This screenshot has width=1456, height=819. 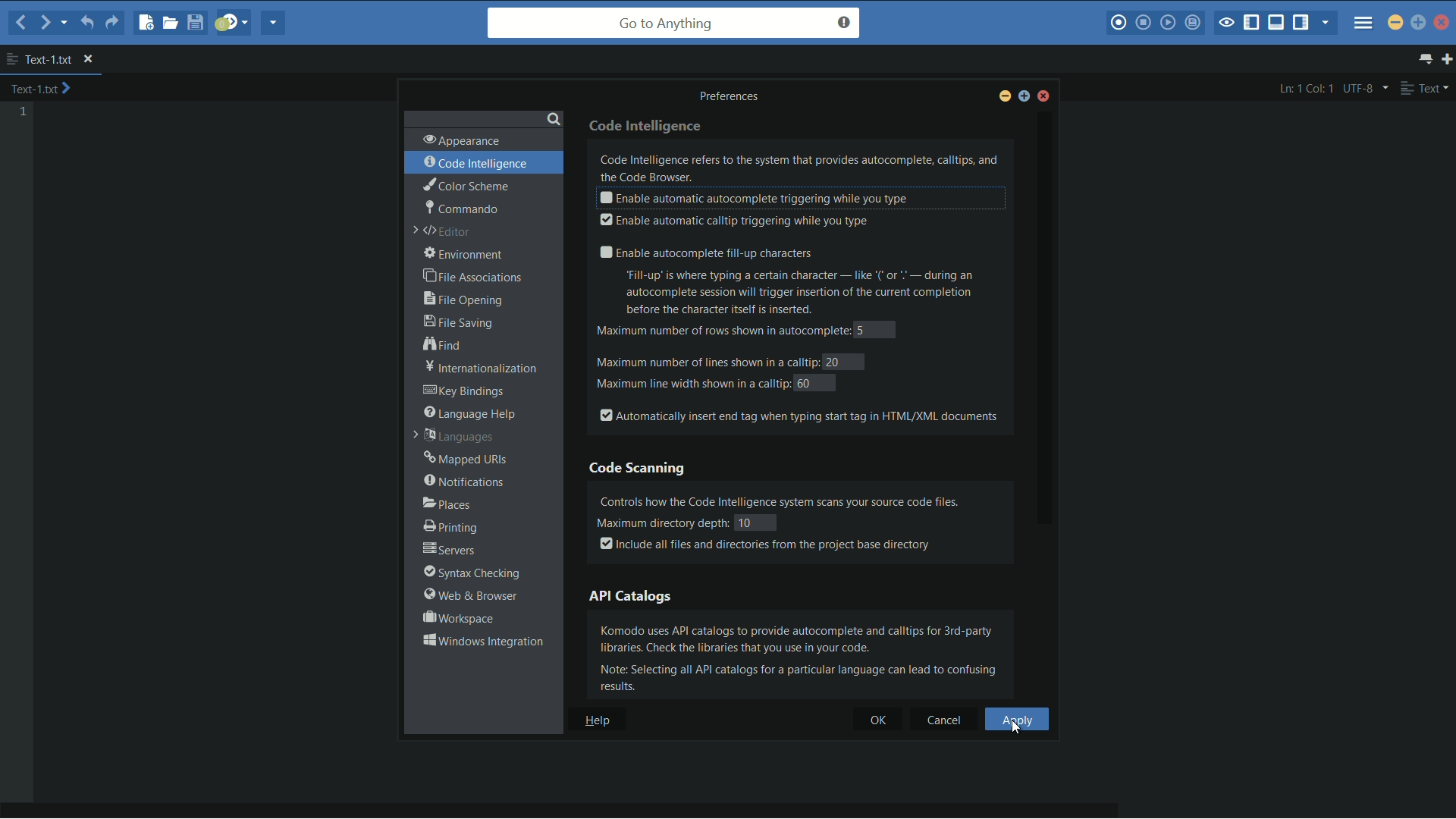 I want to click on enable autocomplete fill up character, so click(x=704, y=253).